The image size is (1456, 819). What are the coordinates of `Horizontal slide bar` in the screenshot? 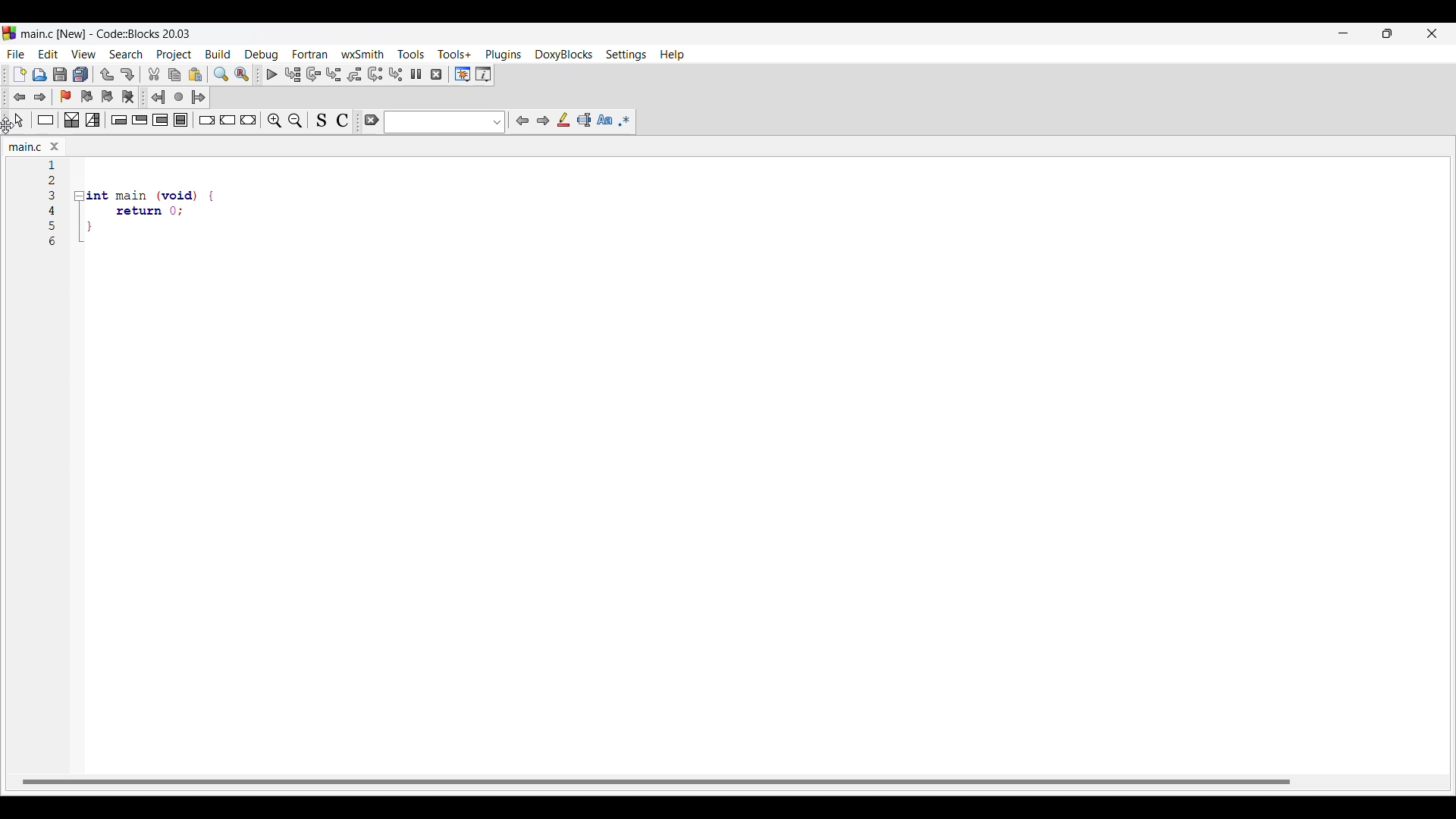 It's located at (656, 781).